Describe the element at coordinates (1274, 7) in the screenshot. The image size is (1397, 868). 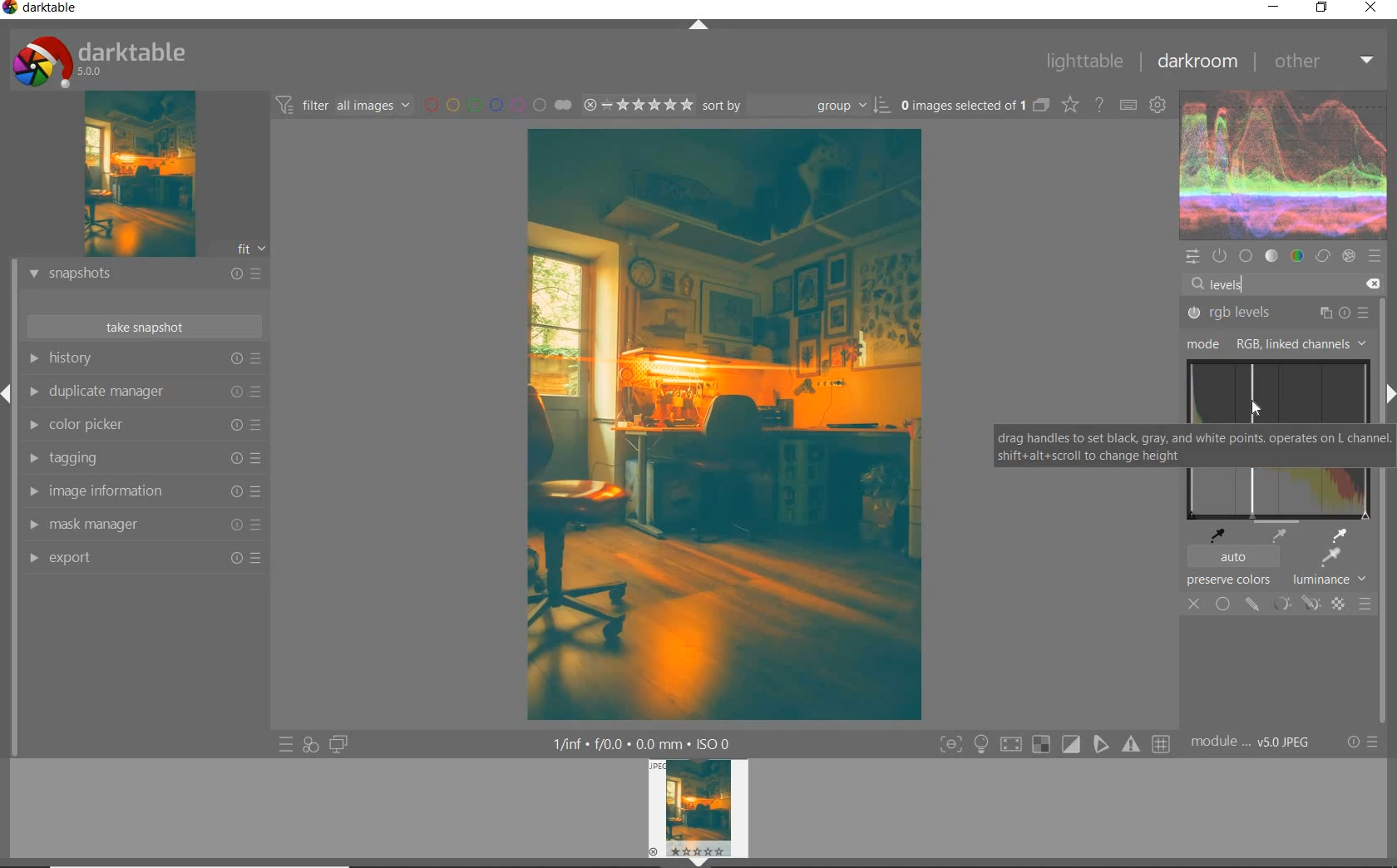
I see `minimize` at that location.